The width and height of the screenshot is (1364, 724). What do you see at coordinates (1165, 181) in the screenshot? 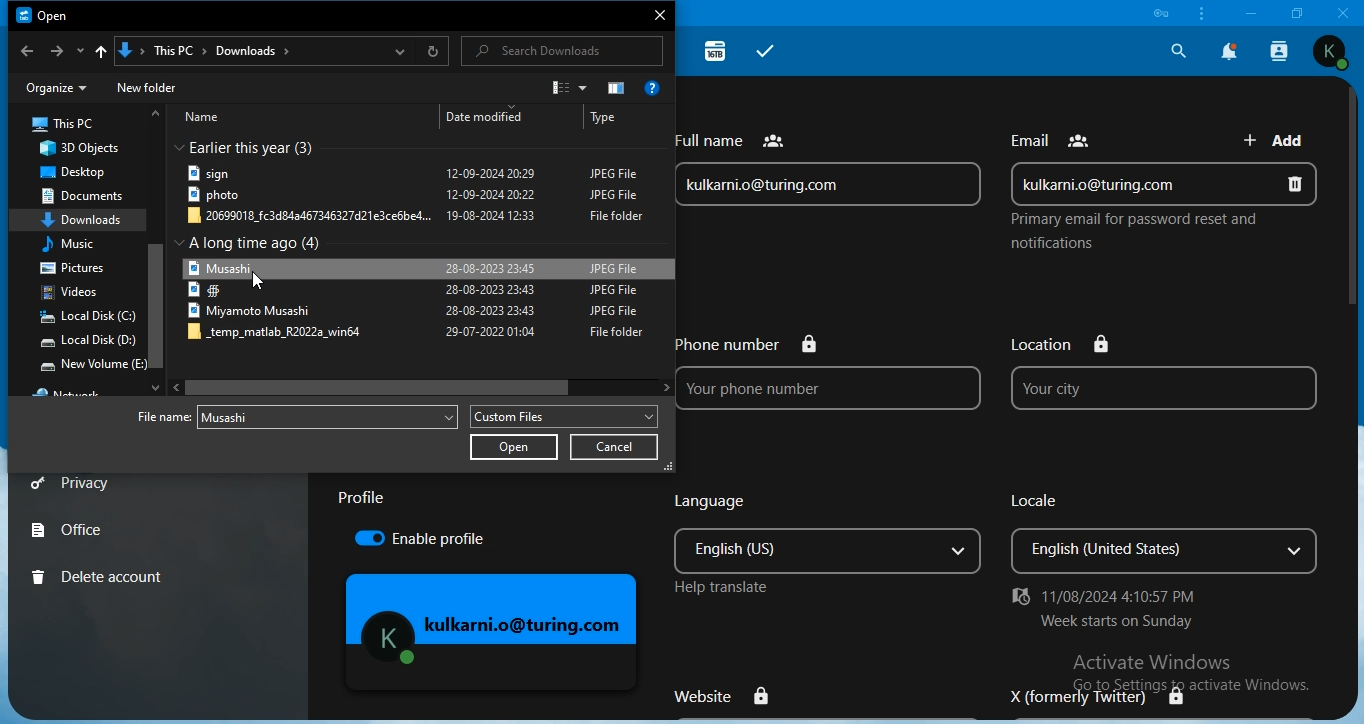
I see `email` at bounding box center [1165, 181].